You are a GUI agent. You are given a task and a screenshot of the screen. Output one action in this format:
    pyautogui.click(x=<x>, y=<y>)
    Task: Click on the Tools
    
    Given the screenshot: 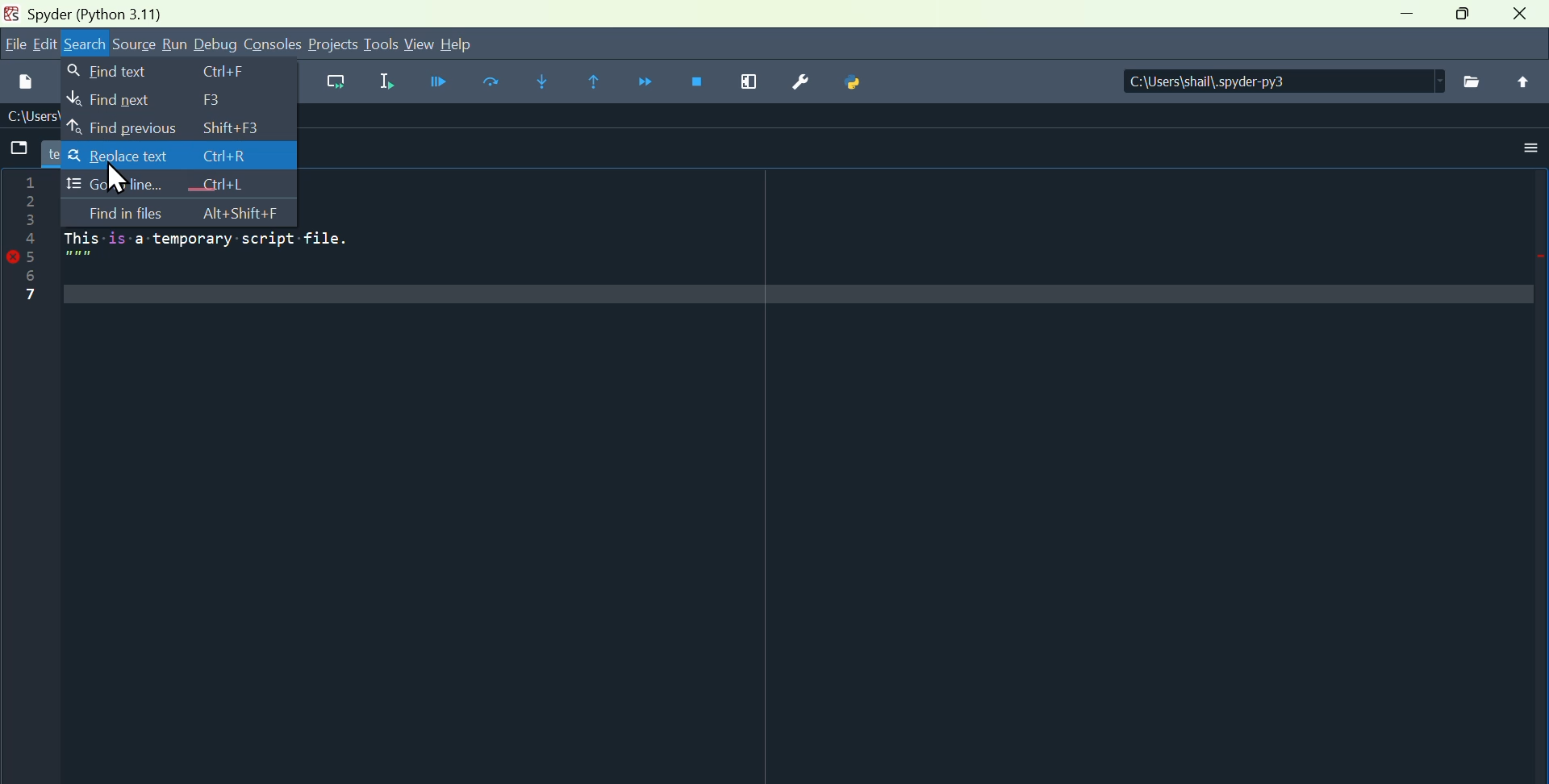 What is the action you would take?
    pyautogui.click(x=382, y=46)
    